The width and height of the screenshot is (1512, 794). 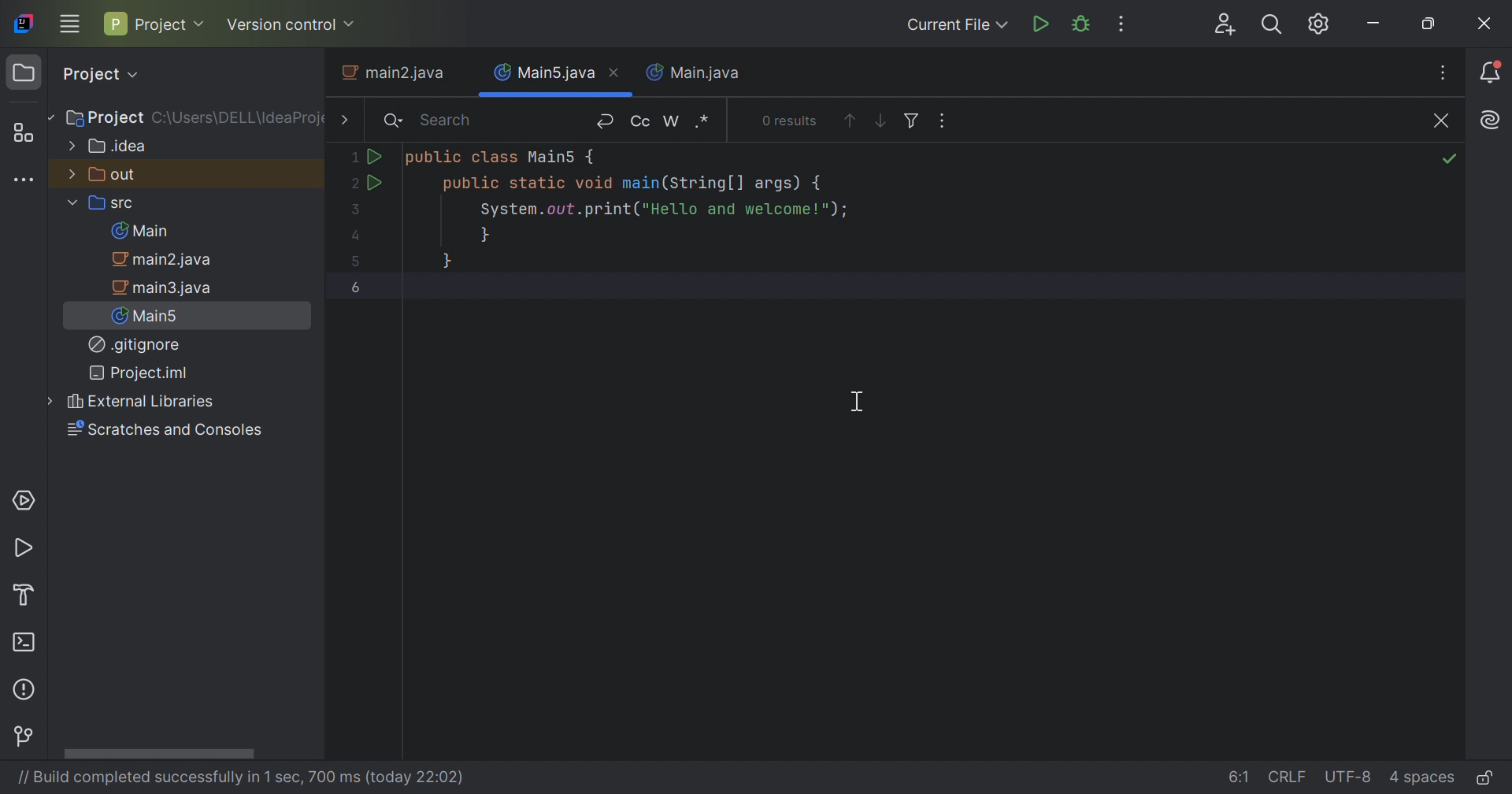 What do you see at coordinates (1271, 25) in the screenshot?
I see `Search Everywhere` at bounding box center [1271, 25].